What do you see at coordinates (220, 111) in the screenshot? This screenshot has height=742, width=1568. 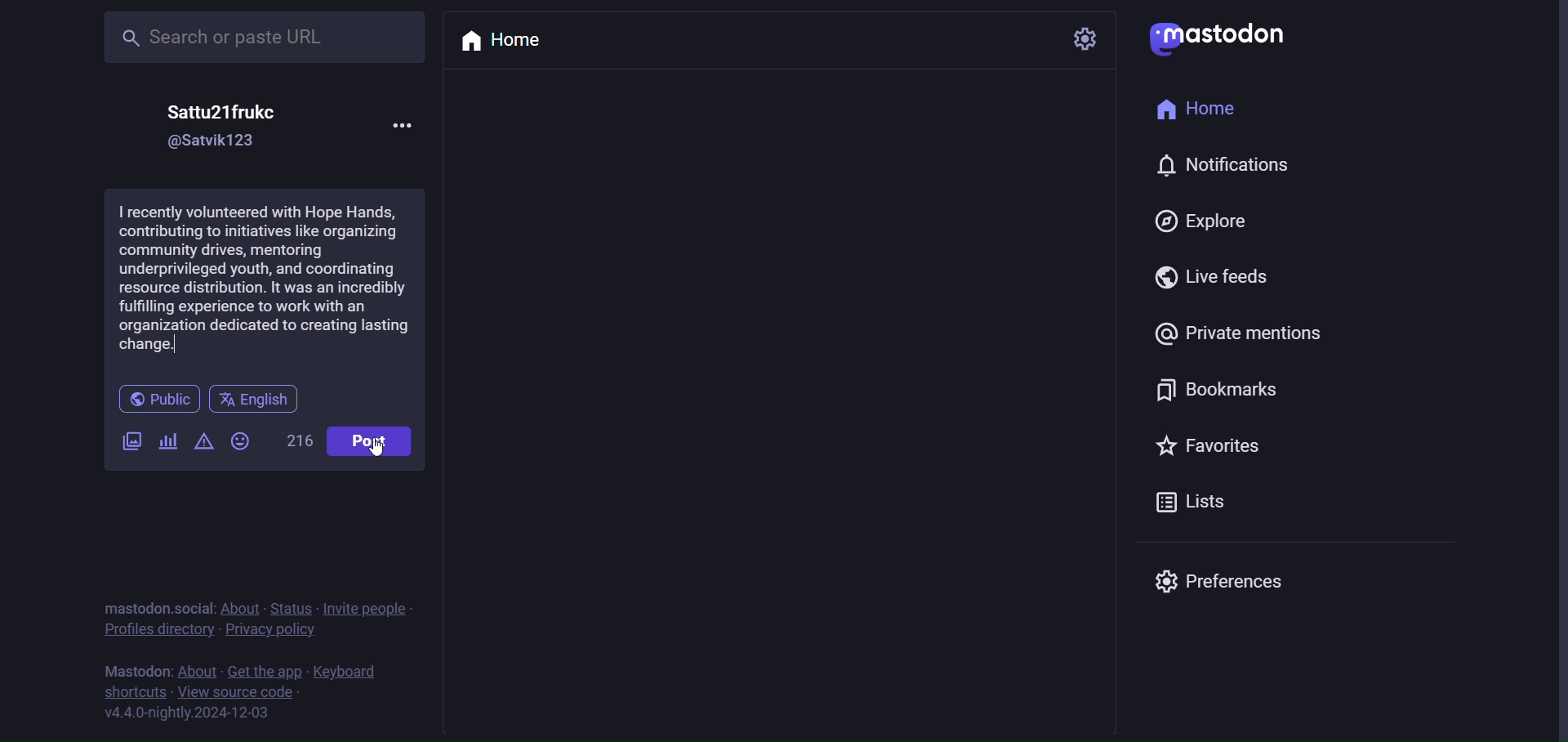 I see `name` at bounding box center [220, 111].